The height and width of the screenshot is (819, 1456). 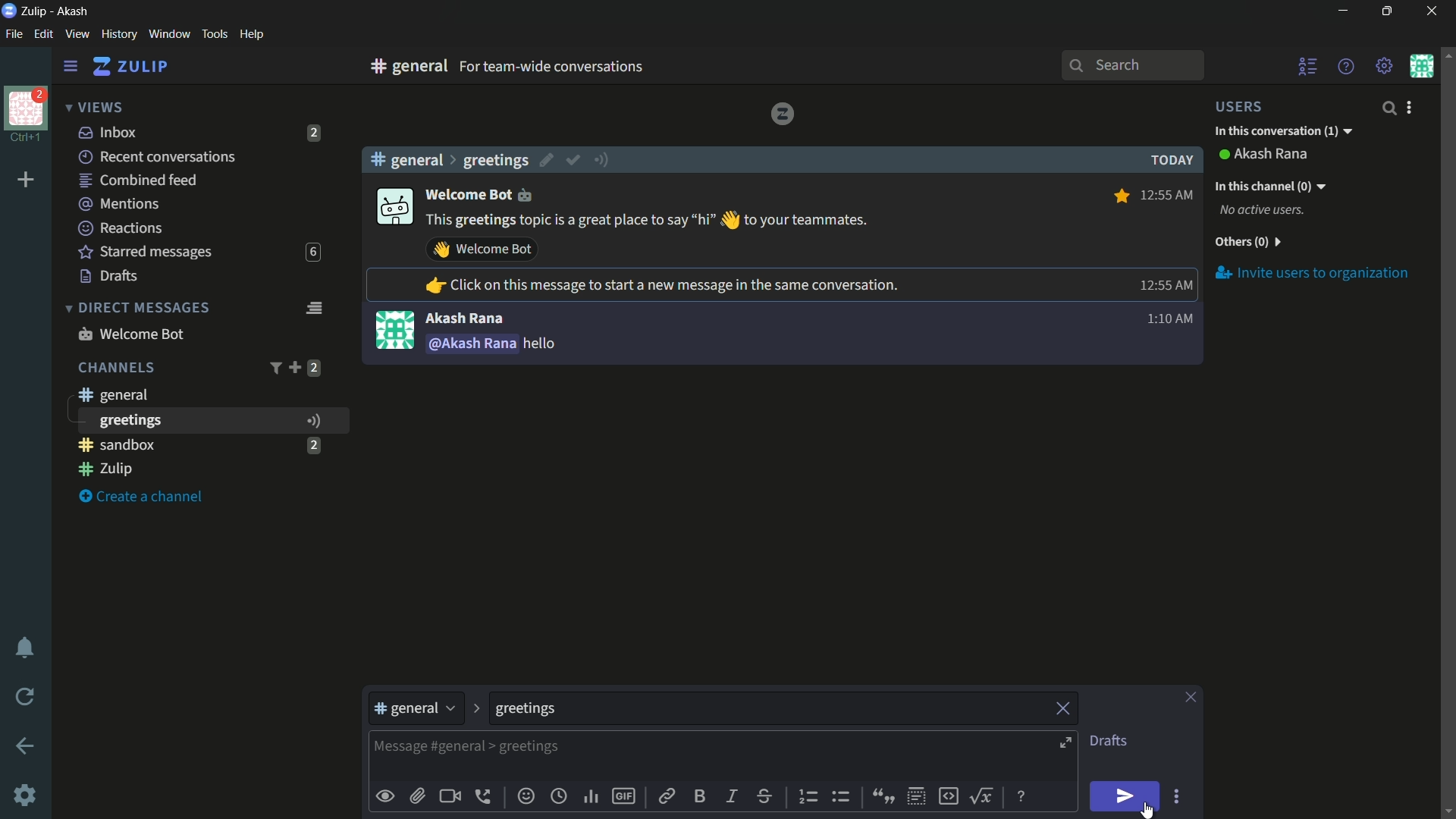 I want to click on remove topic, so click(x=1065, y=707).